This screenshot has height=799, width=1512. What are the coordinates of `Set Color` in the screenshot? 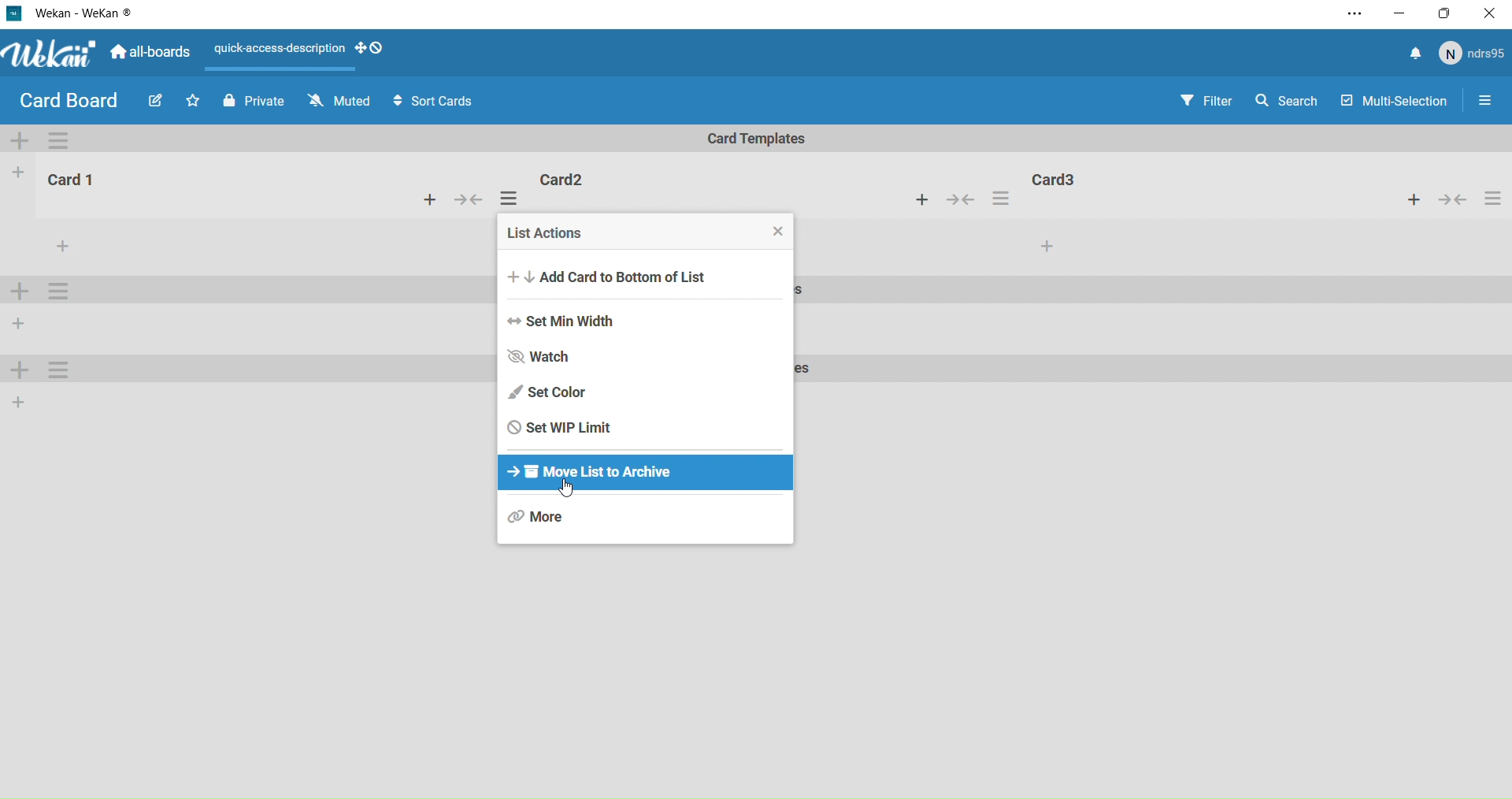 It's located at (555, 393).